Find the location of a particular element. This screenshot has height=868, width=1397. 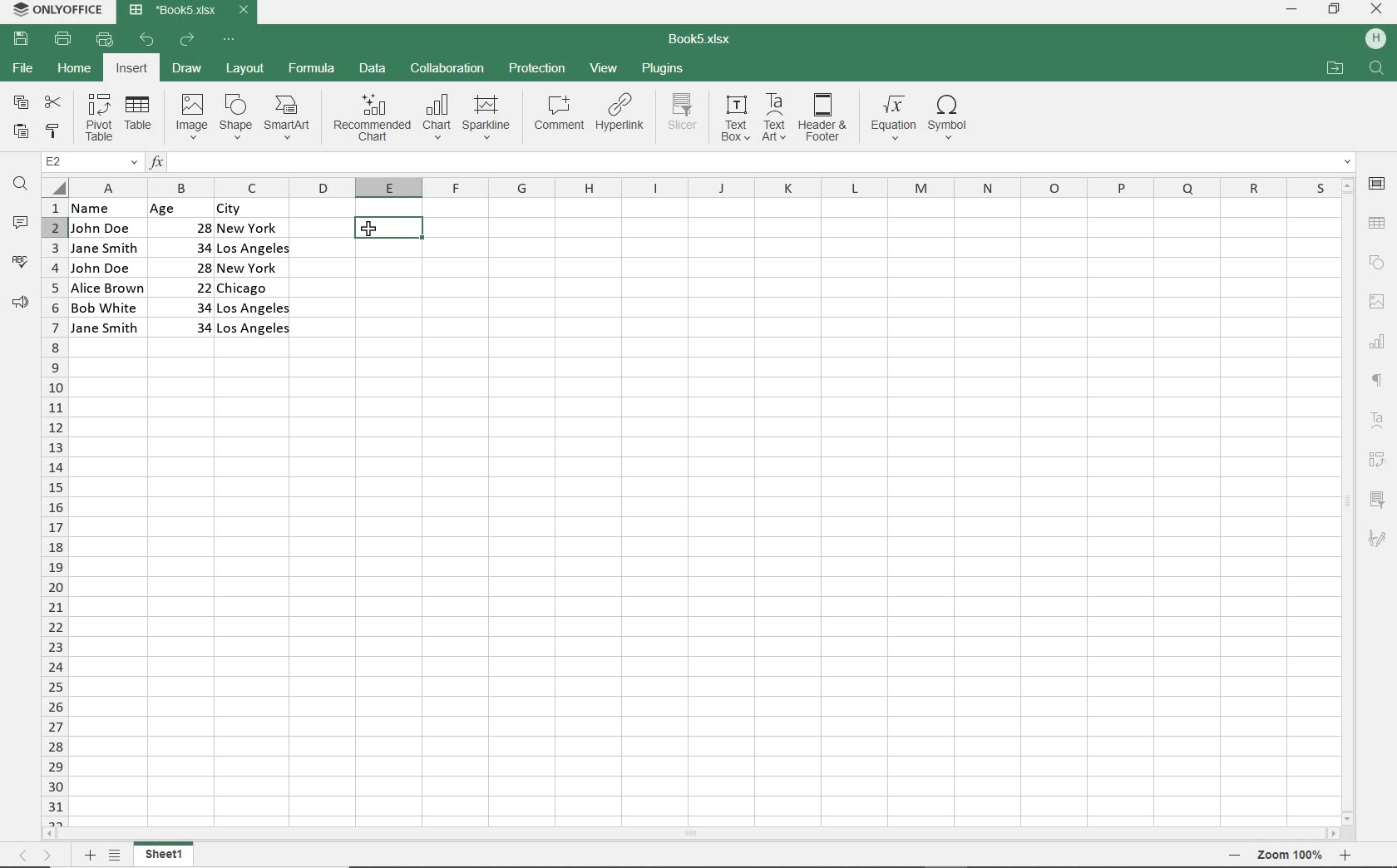

OPEN FILE LOCATION is located at coordinates (1334, 69).